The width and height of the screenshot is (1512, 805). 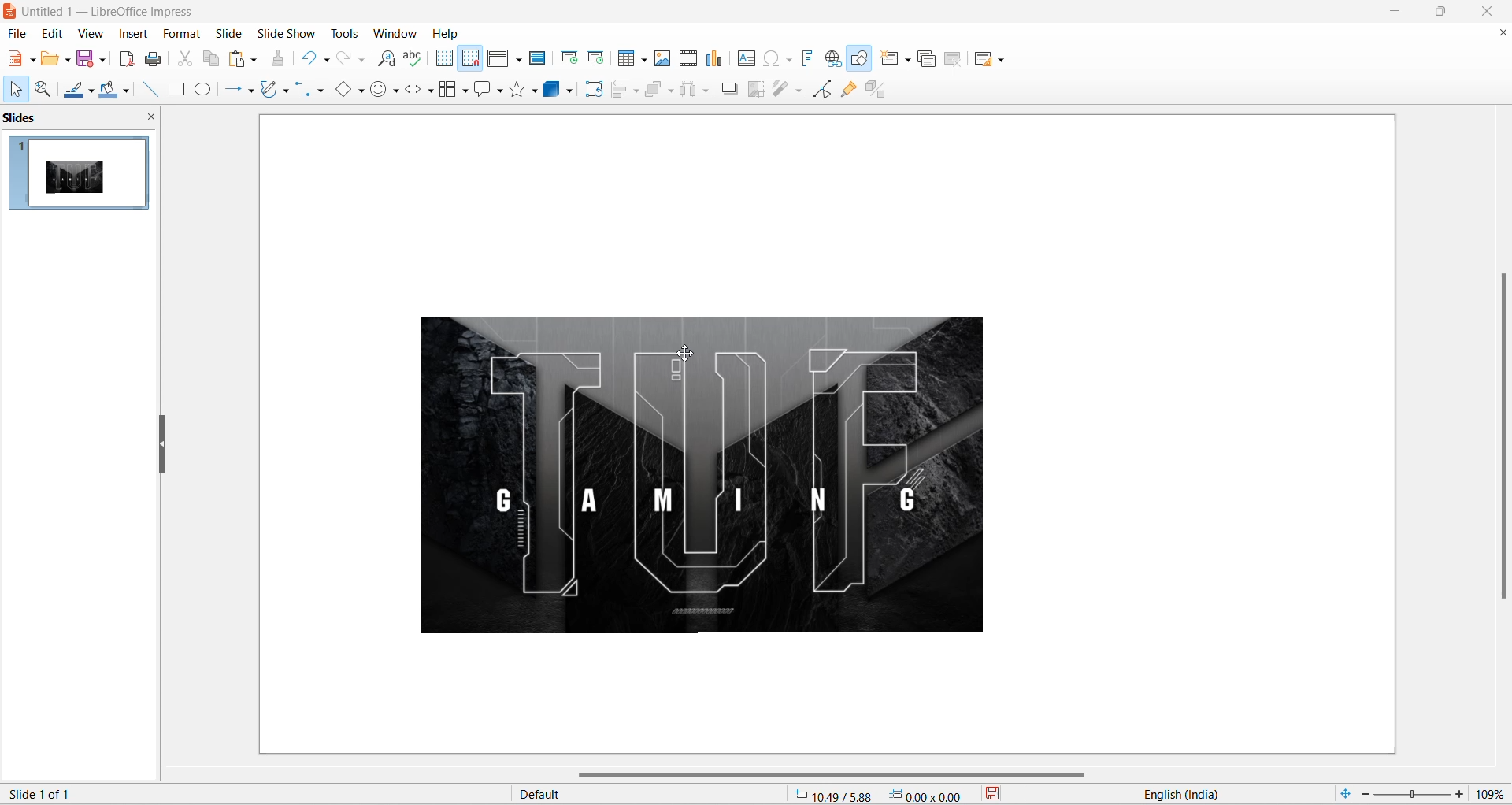 What do you see at coordinates (86, 61) in the screenshot?
I see `save ` at bounding box center [86, 61].